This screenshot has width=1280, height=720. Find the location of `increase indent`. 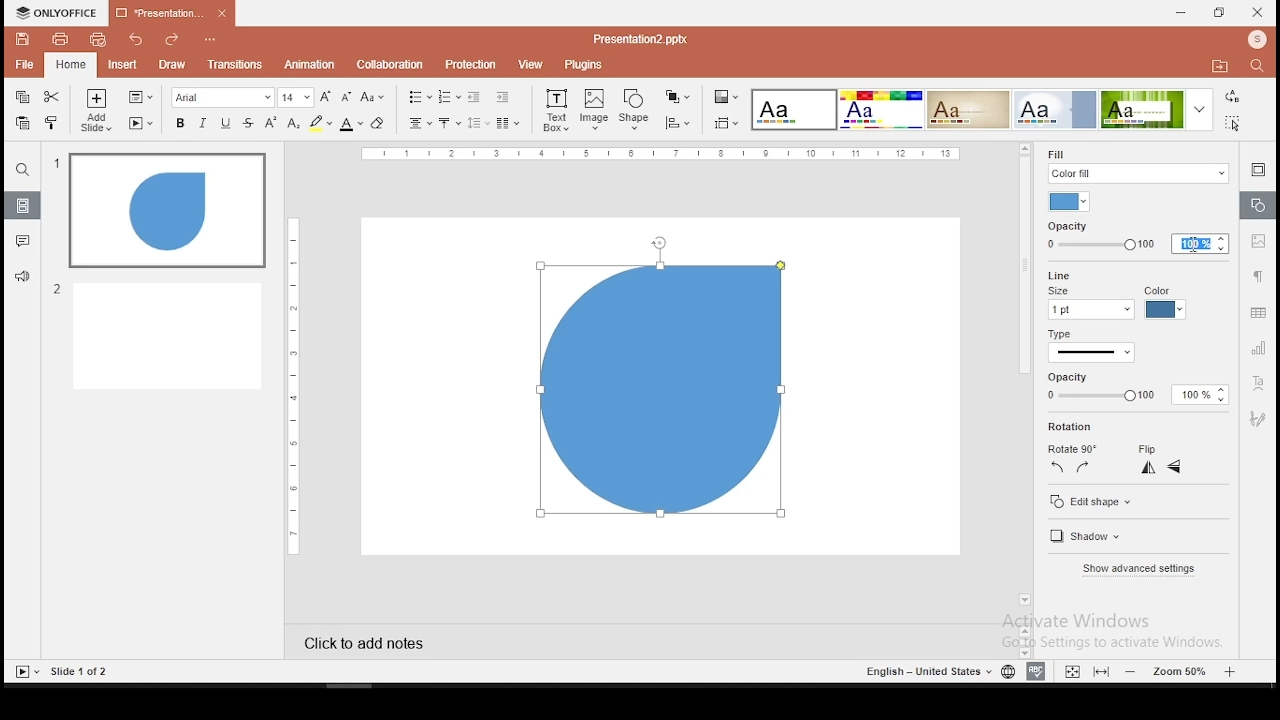

increase indent is located at coordinates (502, 97).